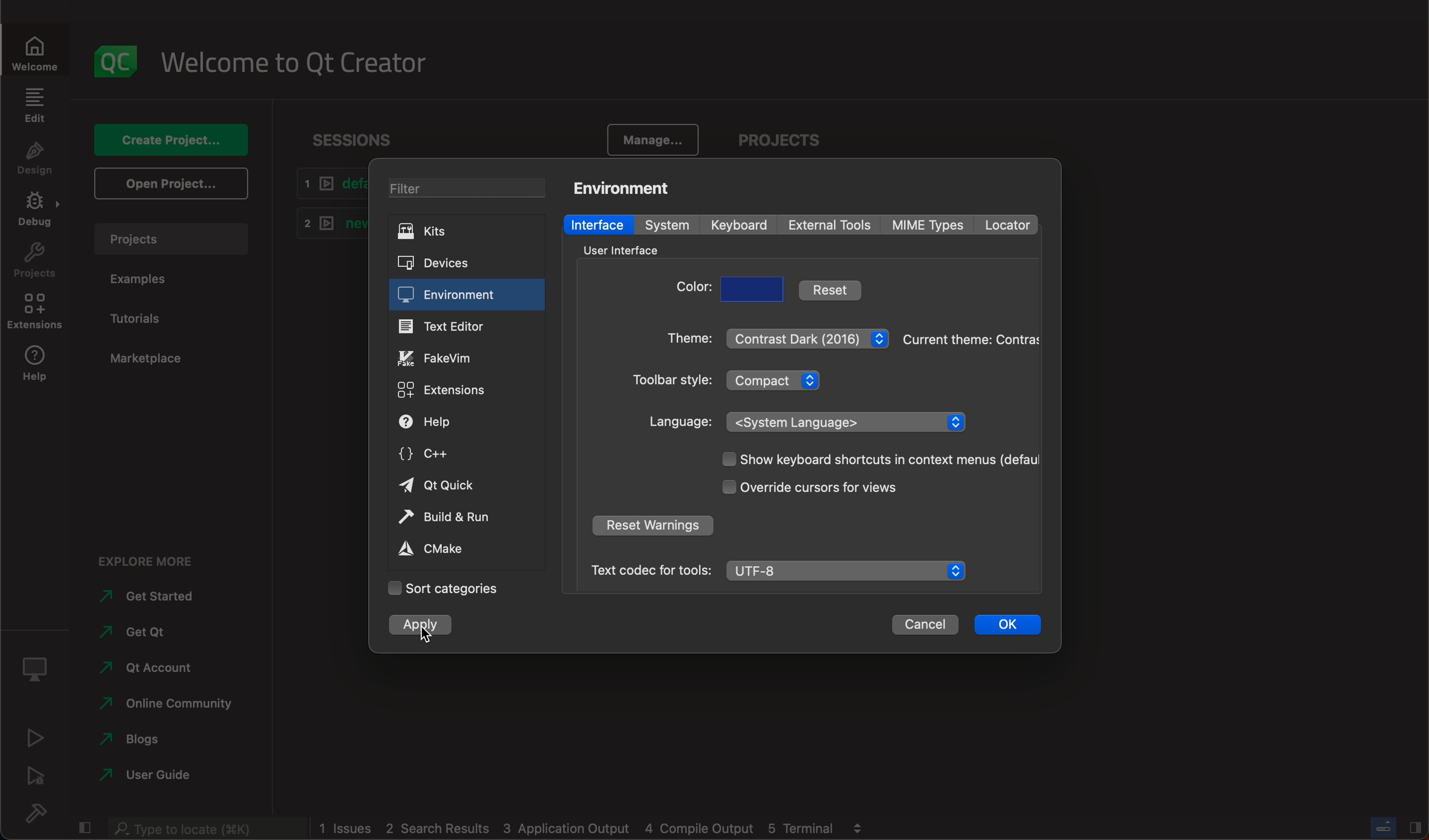  I want to click on theme choices, so click(808, 336).